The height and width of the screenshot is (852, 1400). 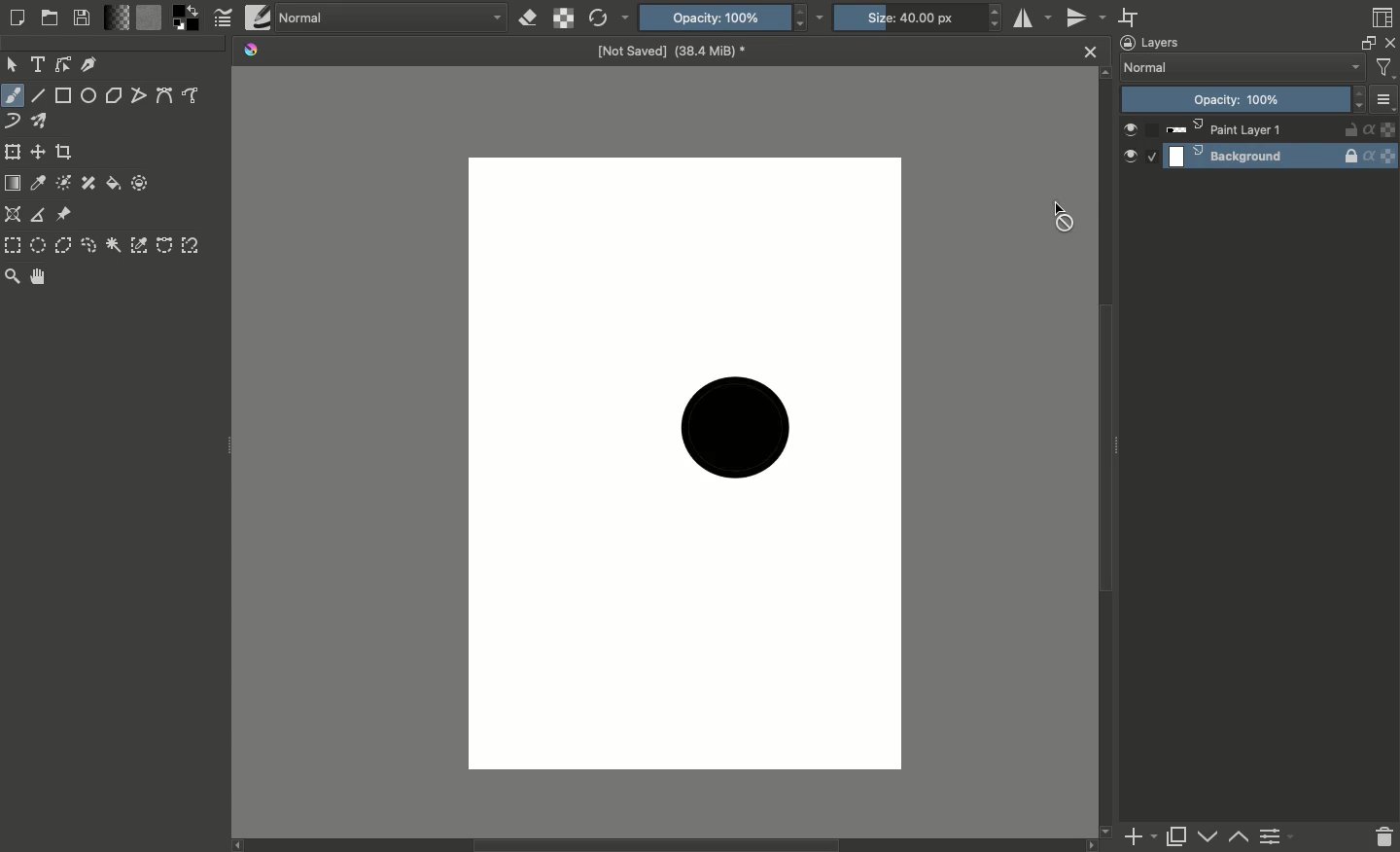 What do you see at coordinates (1387, 104) in the screenshot?
I see `Thumbnail` at bounding box center [1387, 104].